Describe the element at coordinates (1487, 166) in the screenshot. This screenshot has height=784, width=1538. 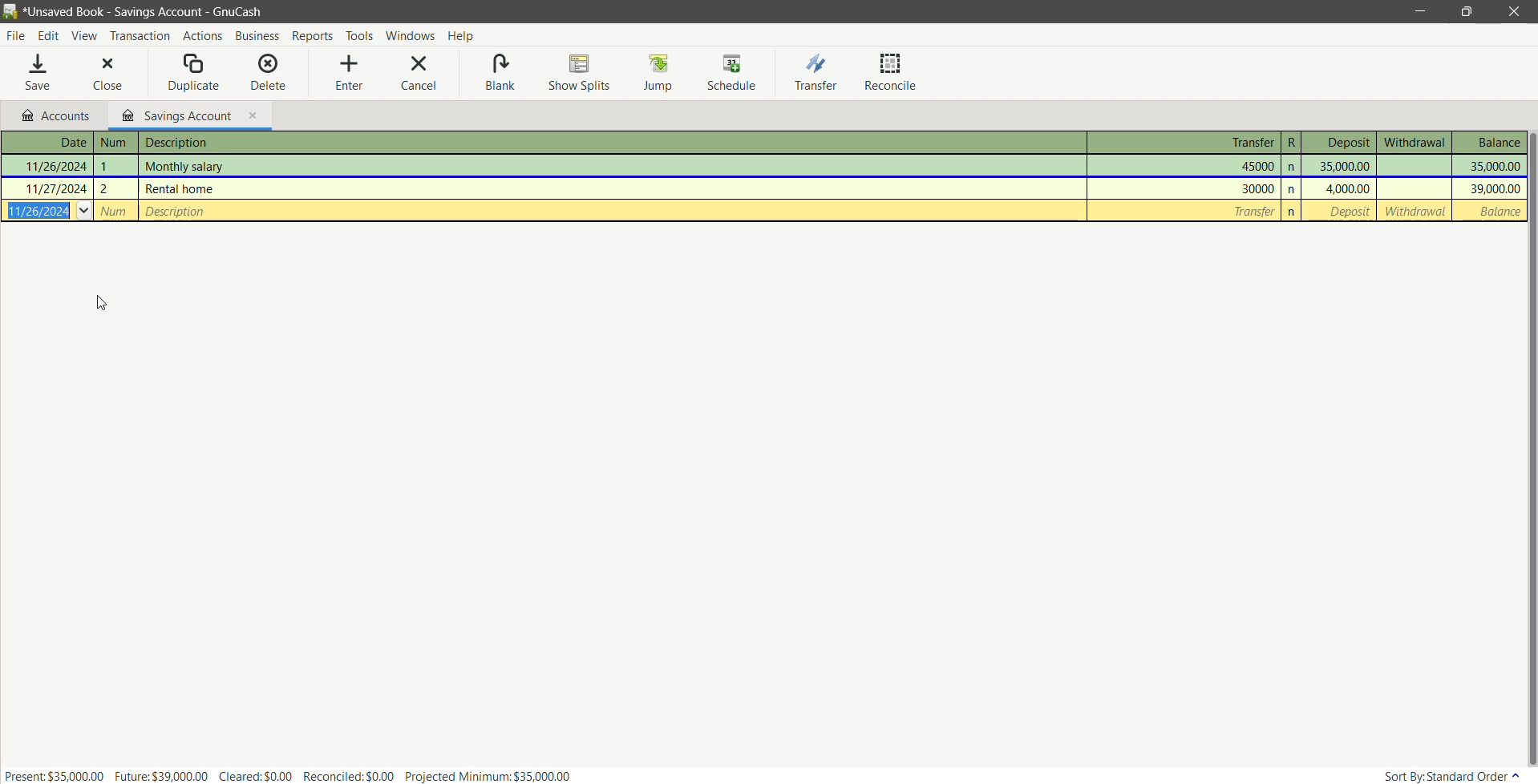
I see `35000.00` at that location.